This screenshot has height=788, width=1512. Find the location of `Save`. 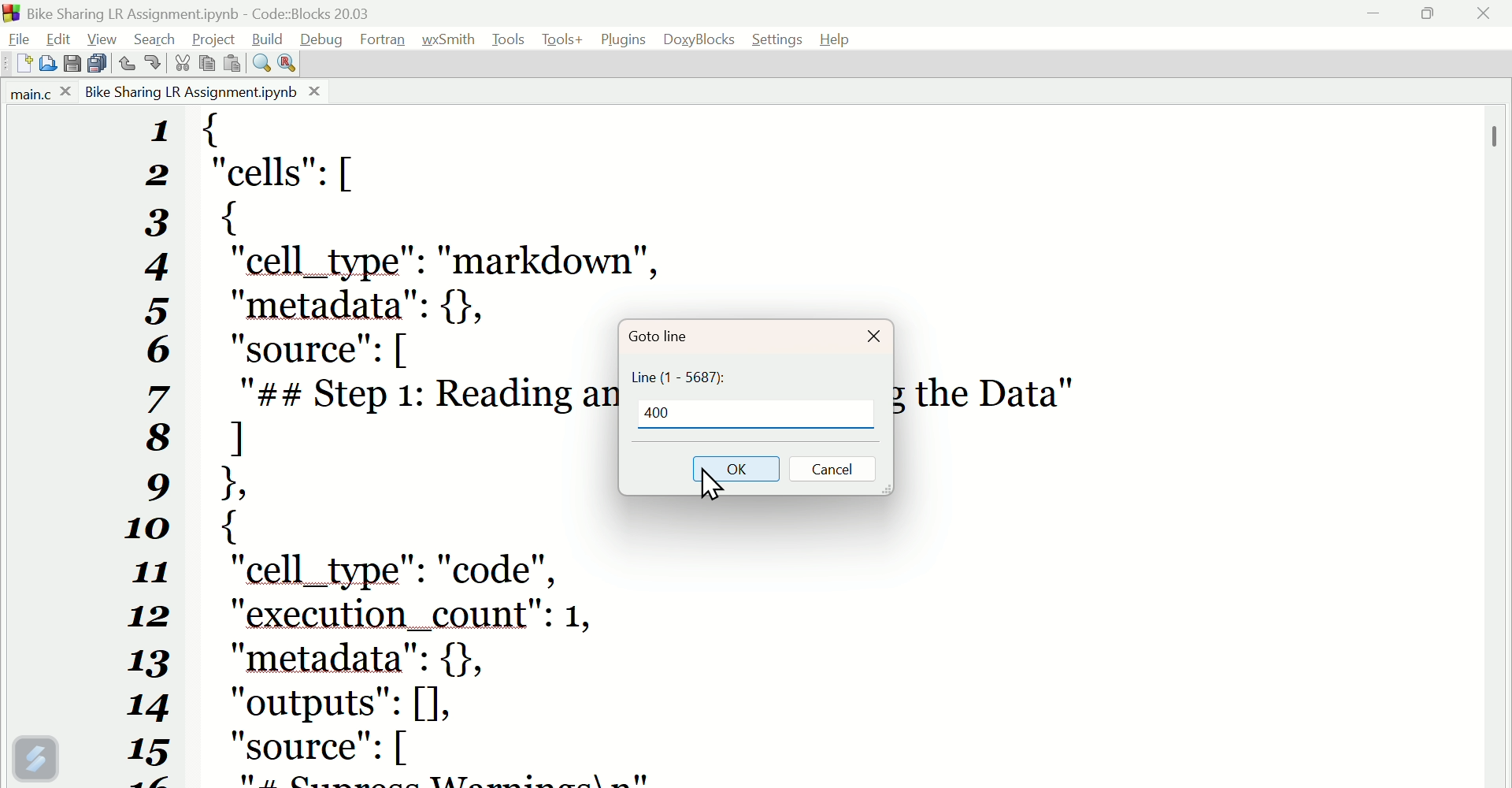

Save is located at coordinates (70, 64).